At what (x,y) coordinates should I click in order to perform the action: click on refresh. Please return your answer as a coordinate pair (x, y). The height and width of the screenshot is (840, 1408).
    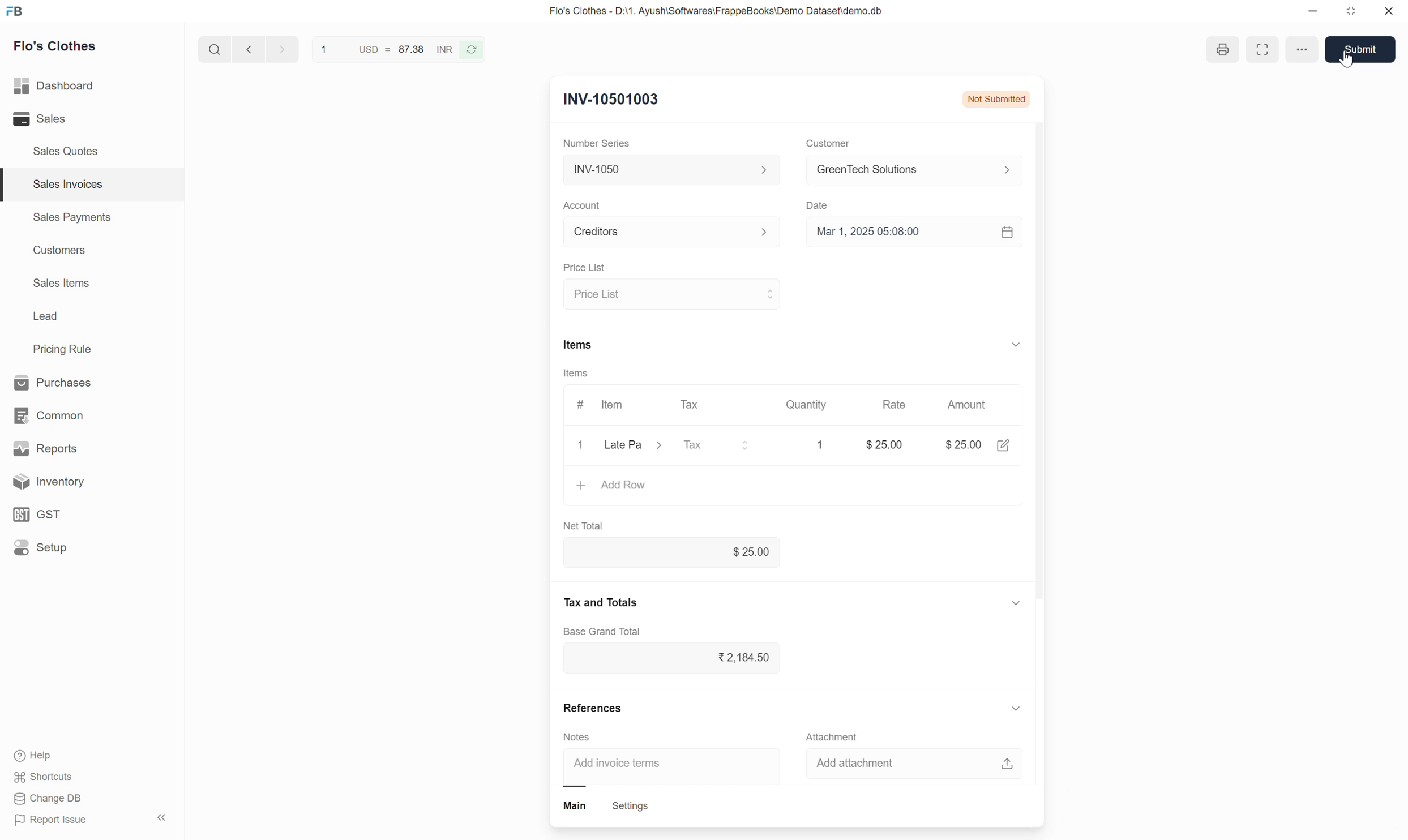
    Looking at the image, I should click on (475, 53).